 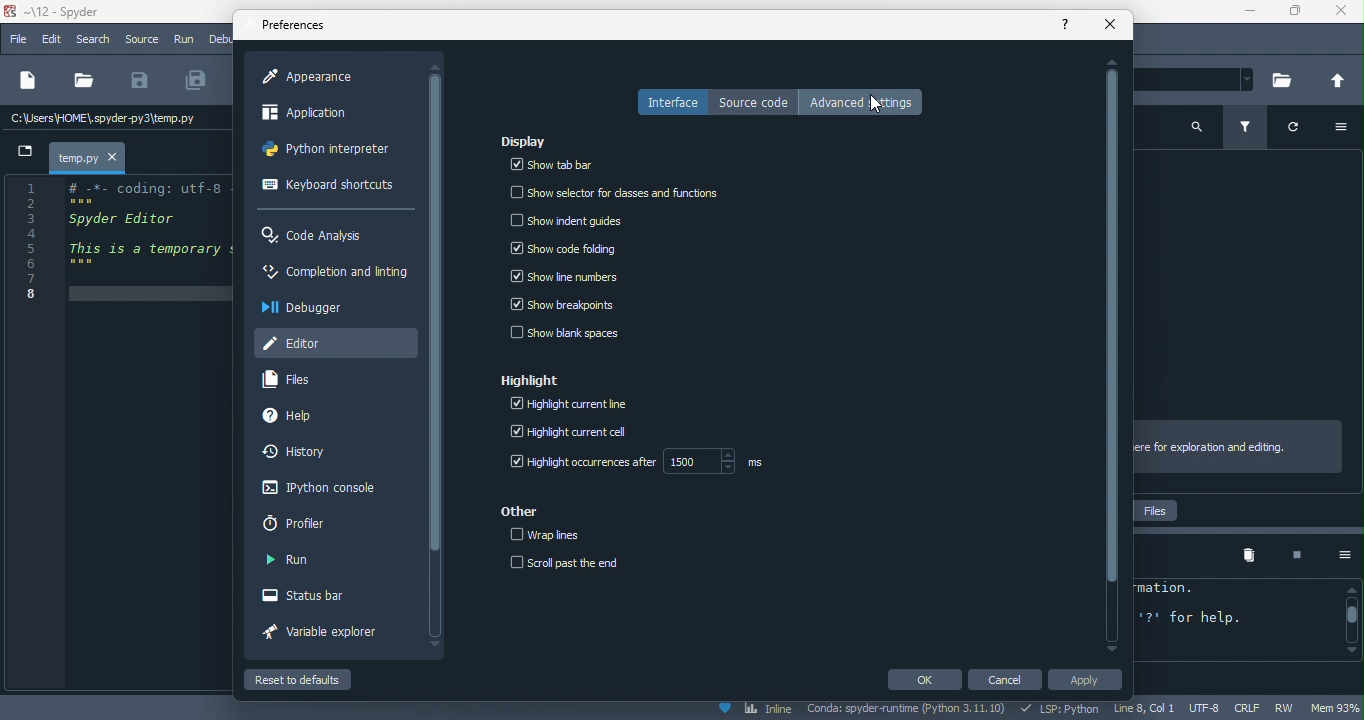 What do you see at coordinates (1090, 682) in the screenshot?
I see `apply` at bounding box center [1090, 682].